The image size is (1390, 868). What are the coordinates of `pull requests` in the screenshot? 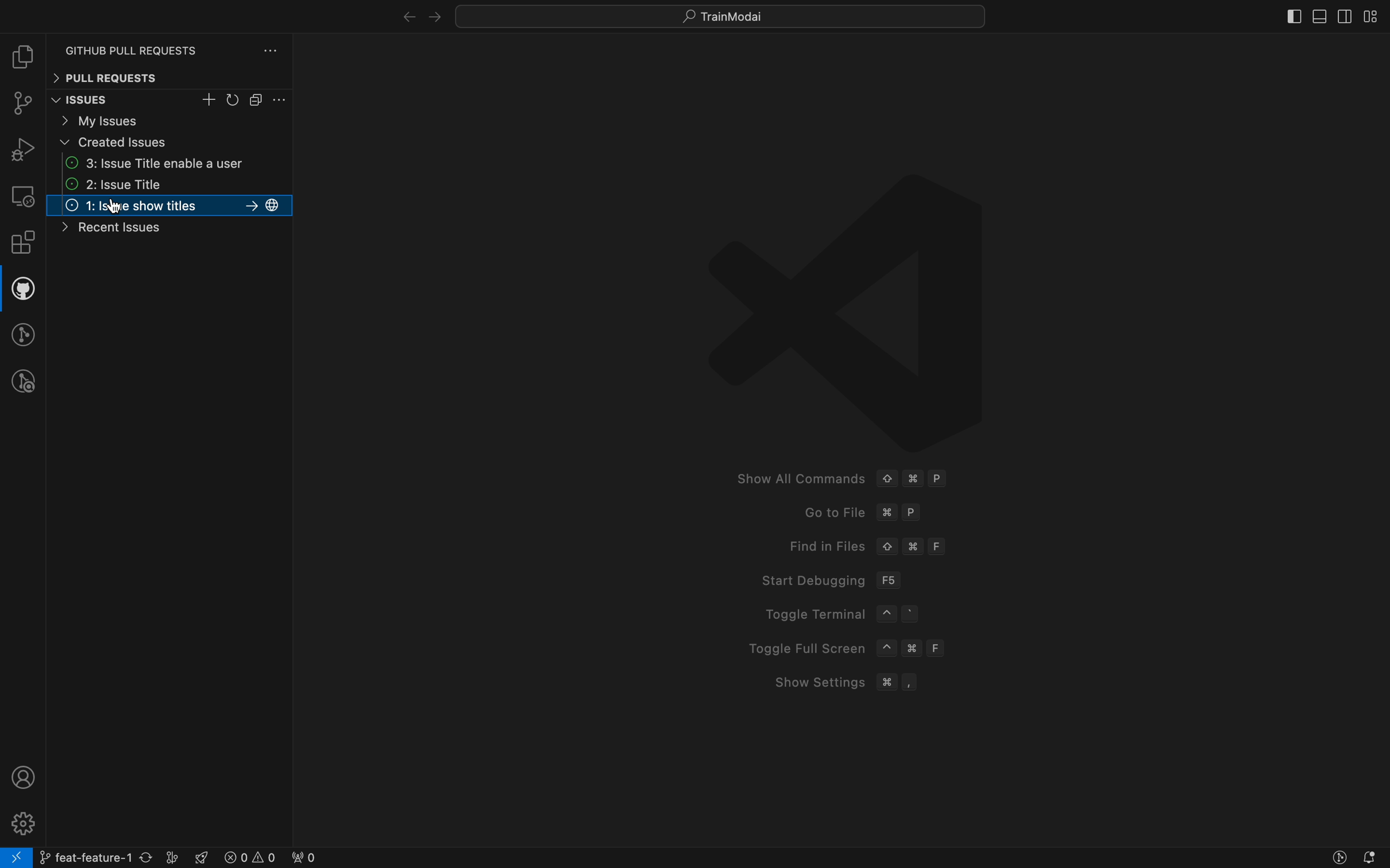 It's located at (169, 77).